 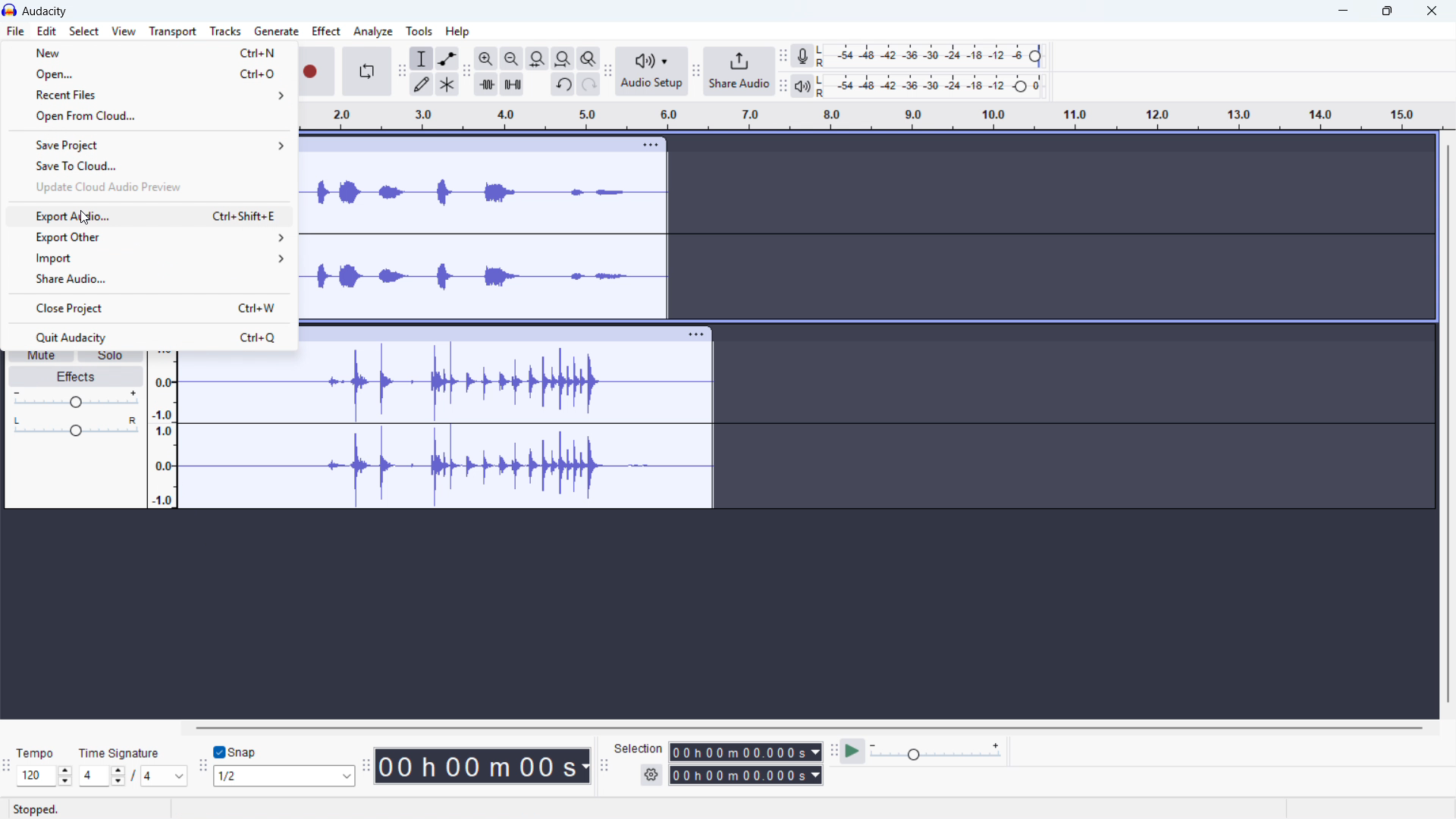 What do you see at coordinates (810, 728) in the screenshot?
I see `Horizontal scroll bar` at bounding box center [810, 728].